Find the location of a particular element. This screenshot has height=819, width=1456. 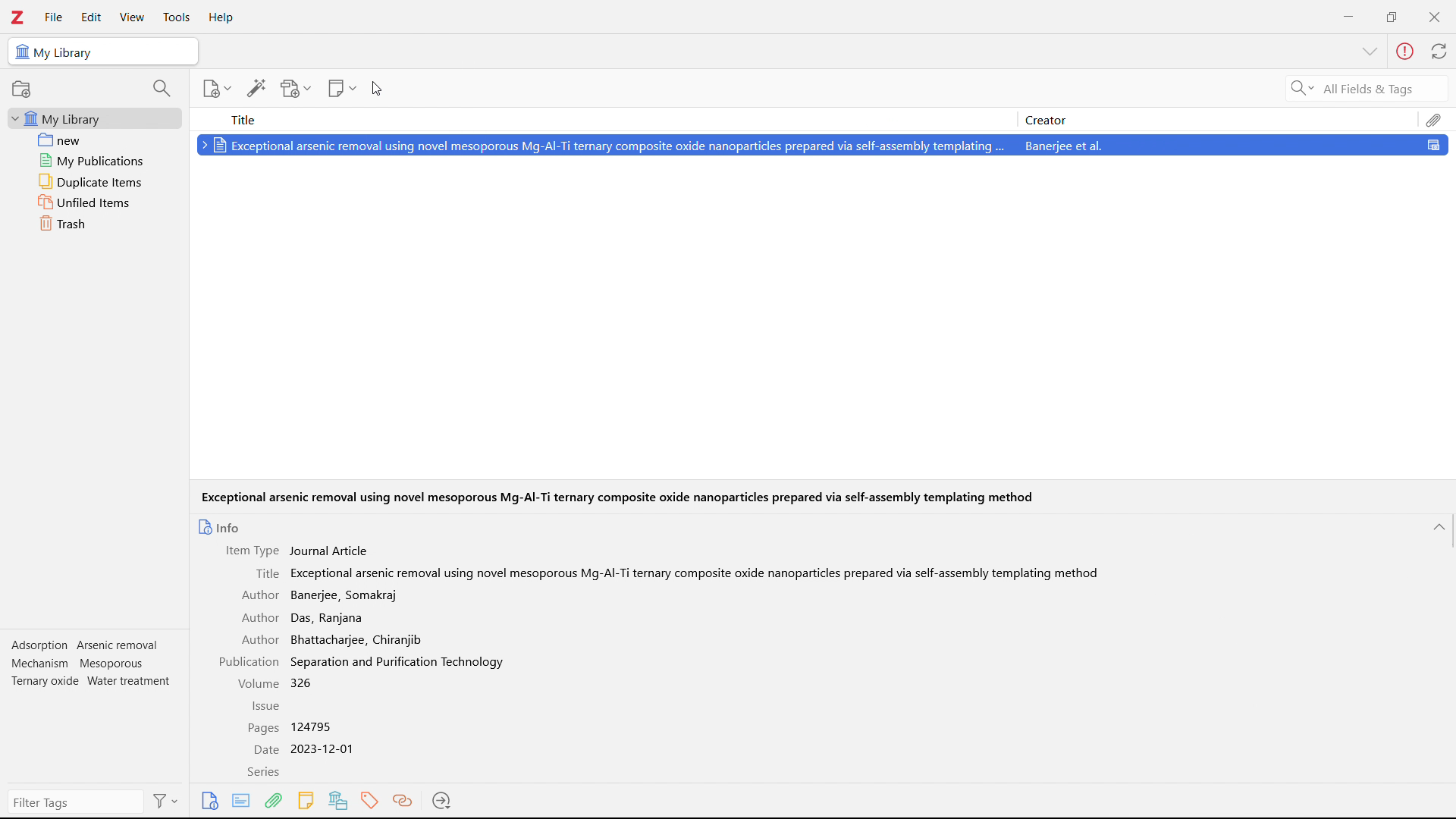

attachments is located at coordinates (275, 802).